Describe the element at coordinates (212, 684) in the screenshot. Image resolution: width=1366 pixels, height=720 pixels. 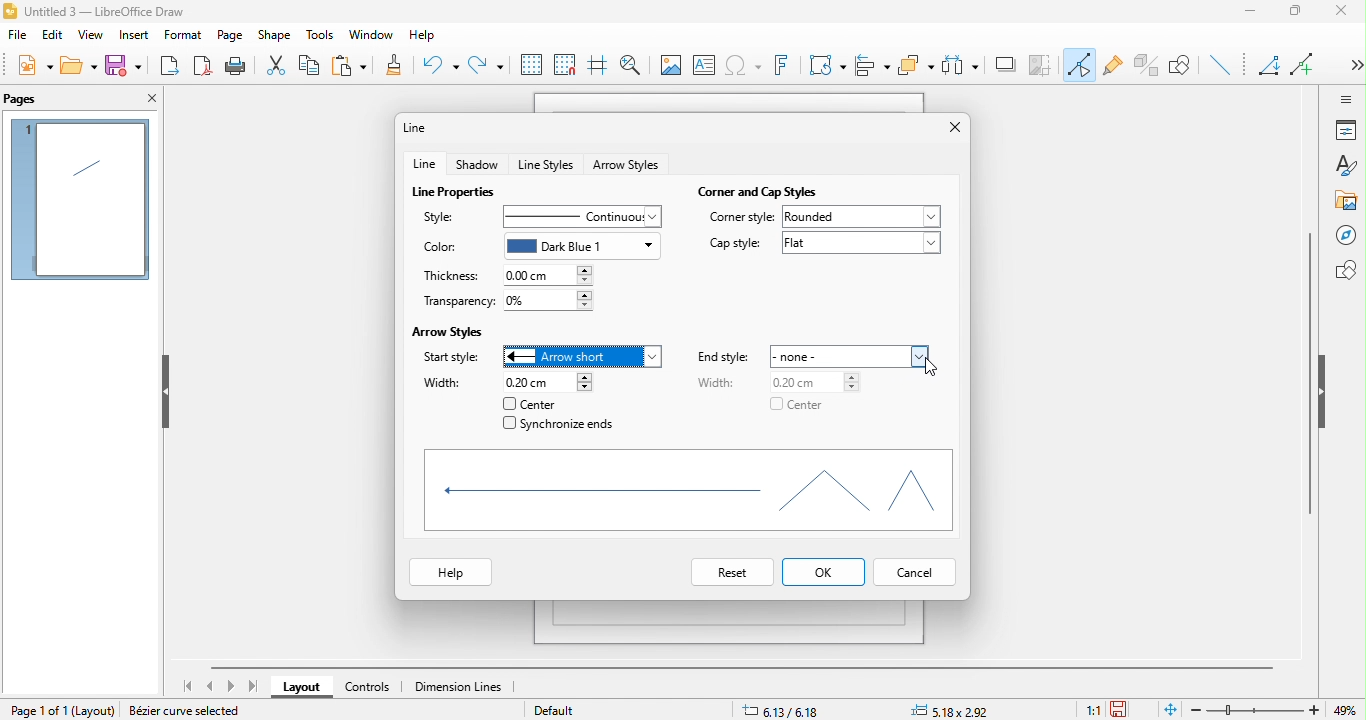
I see `previous page` at that location.